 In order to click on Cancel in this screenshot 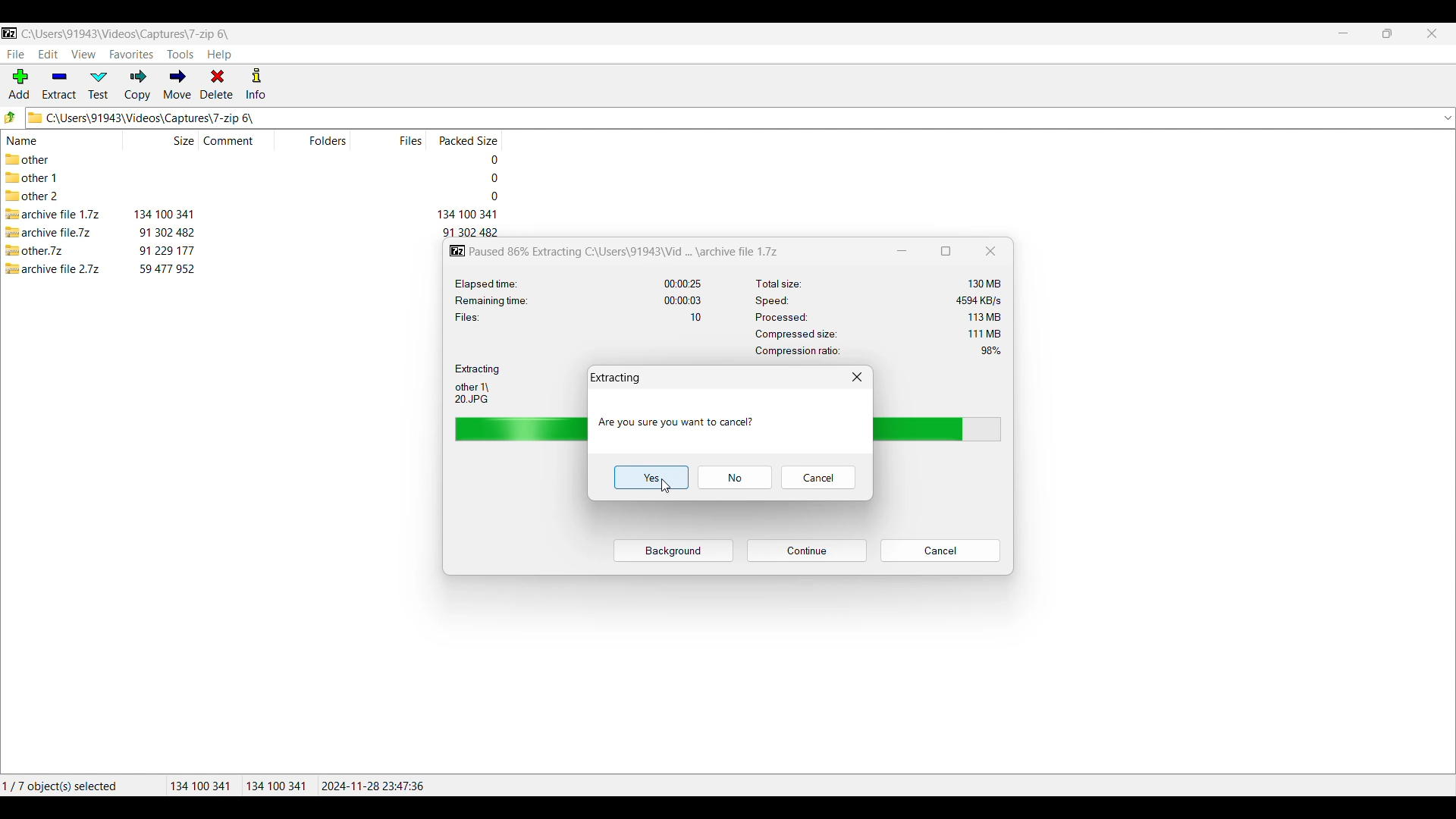, I will do `click(940, 551)`.